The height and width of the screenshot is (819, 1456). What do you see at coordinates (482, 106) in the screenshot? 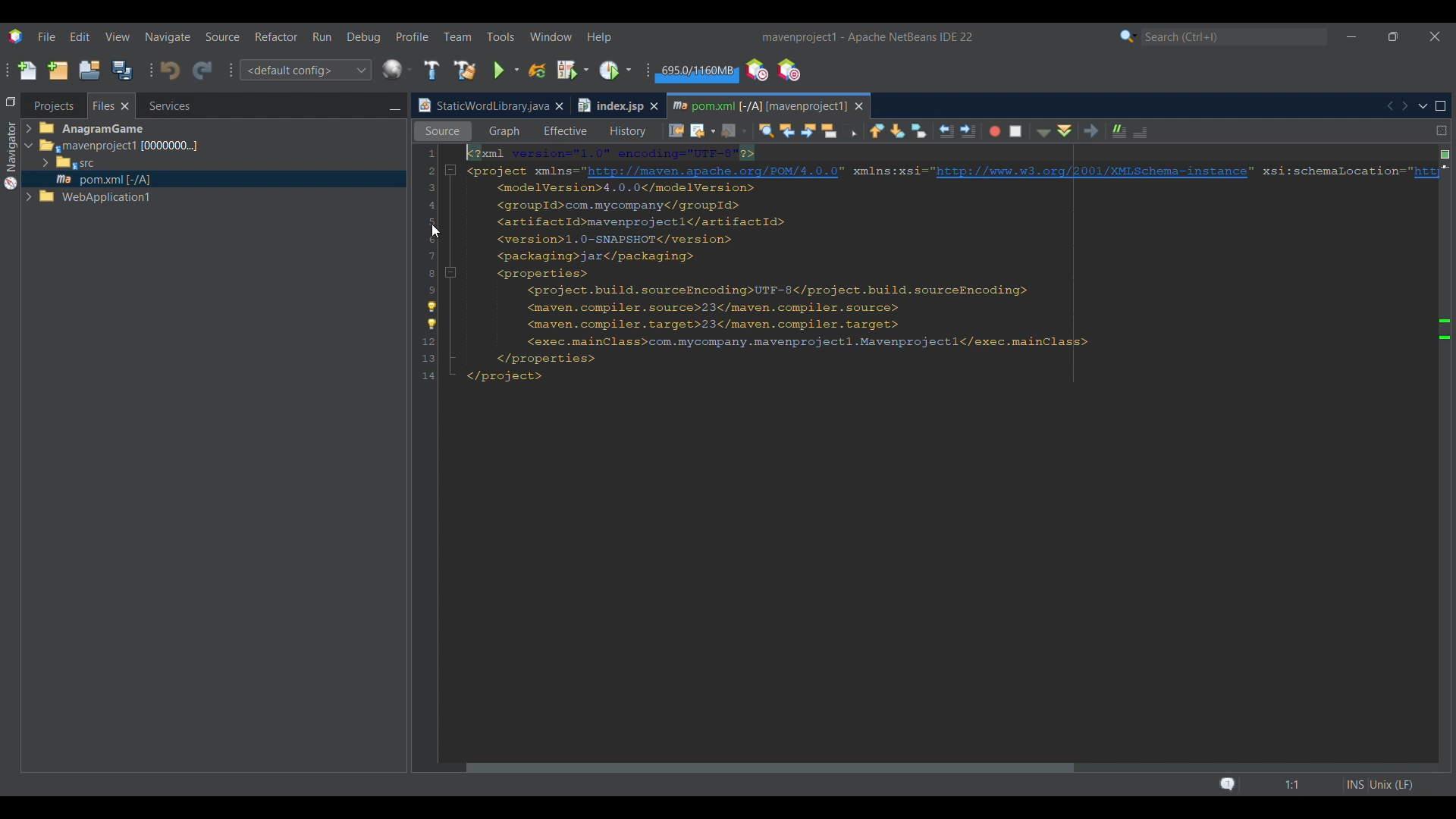
I see `Current tab highlighted` at bounding box center [482, 106].